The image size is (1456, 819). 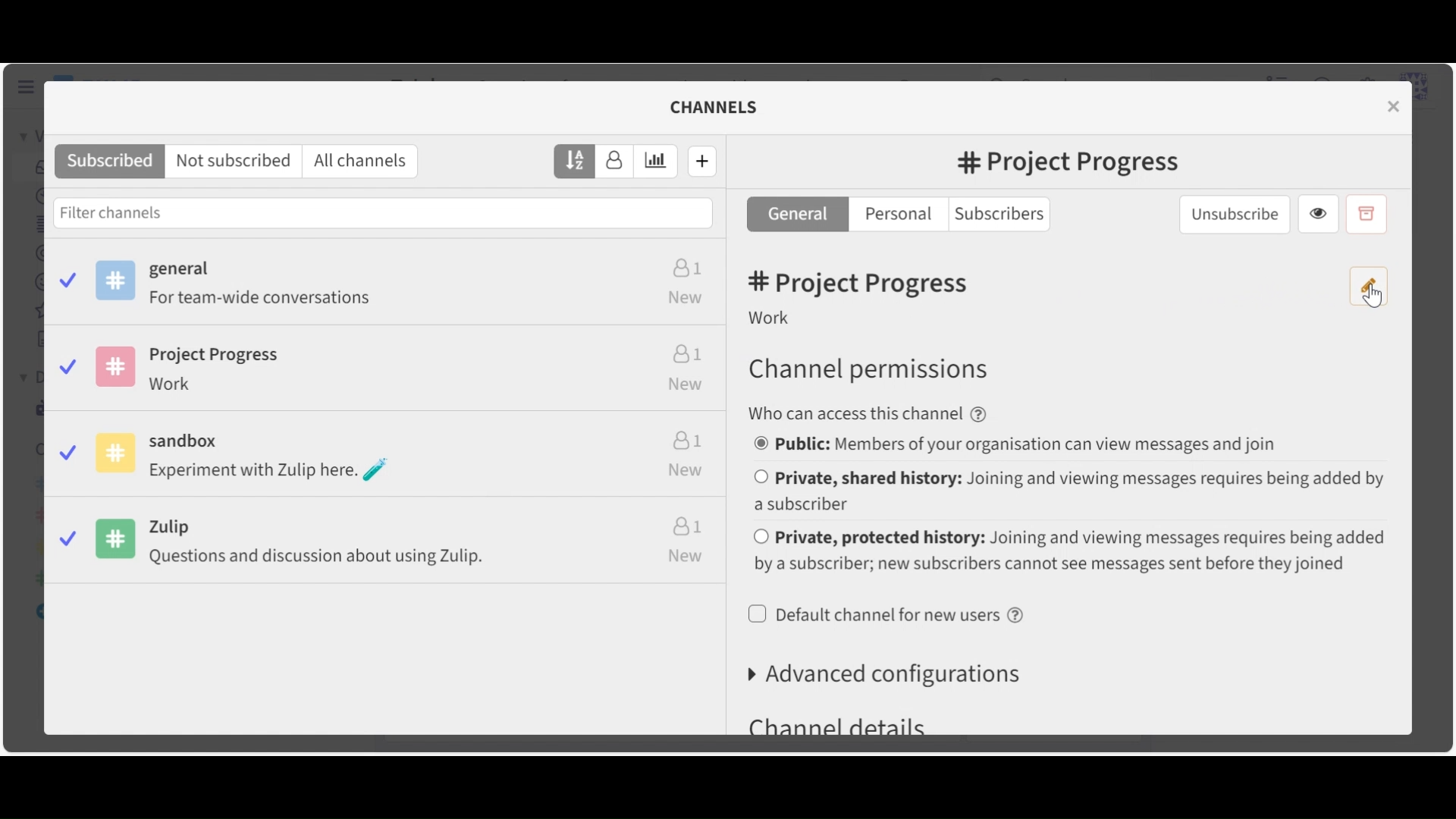 What do you see at coordinates (797, 215) in the screenshot?
I see `General` at bounding box center [797, 215].